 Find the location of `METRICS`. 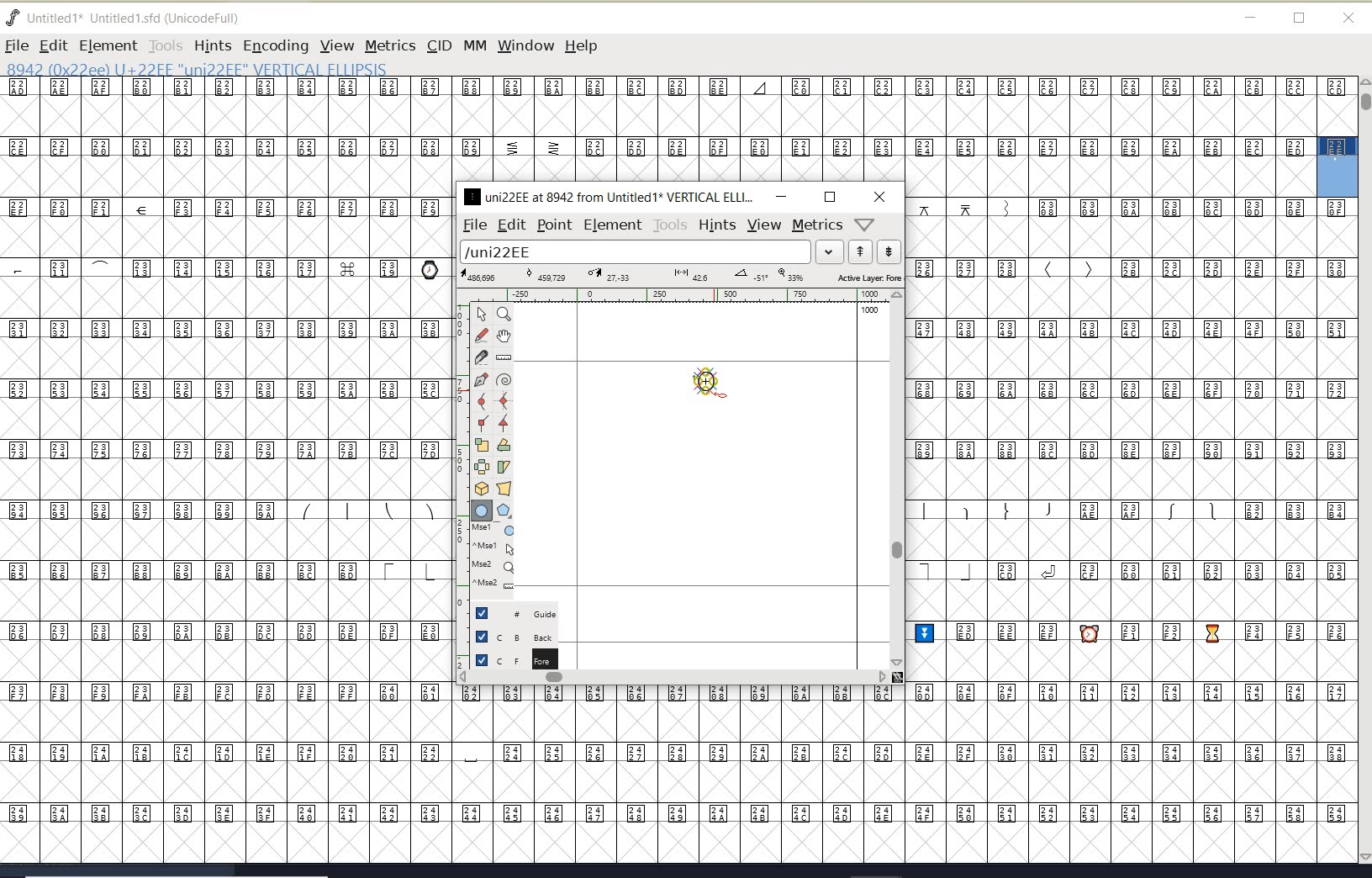

METRICS is located at coordinates (390, 45).